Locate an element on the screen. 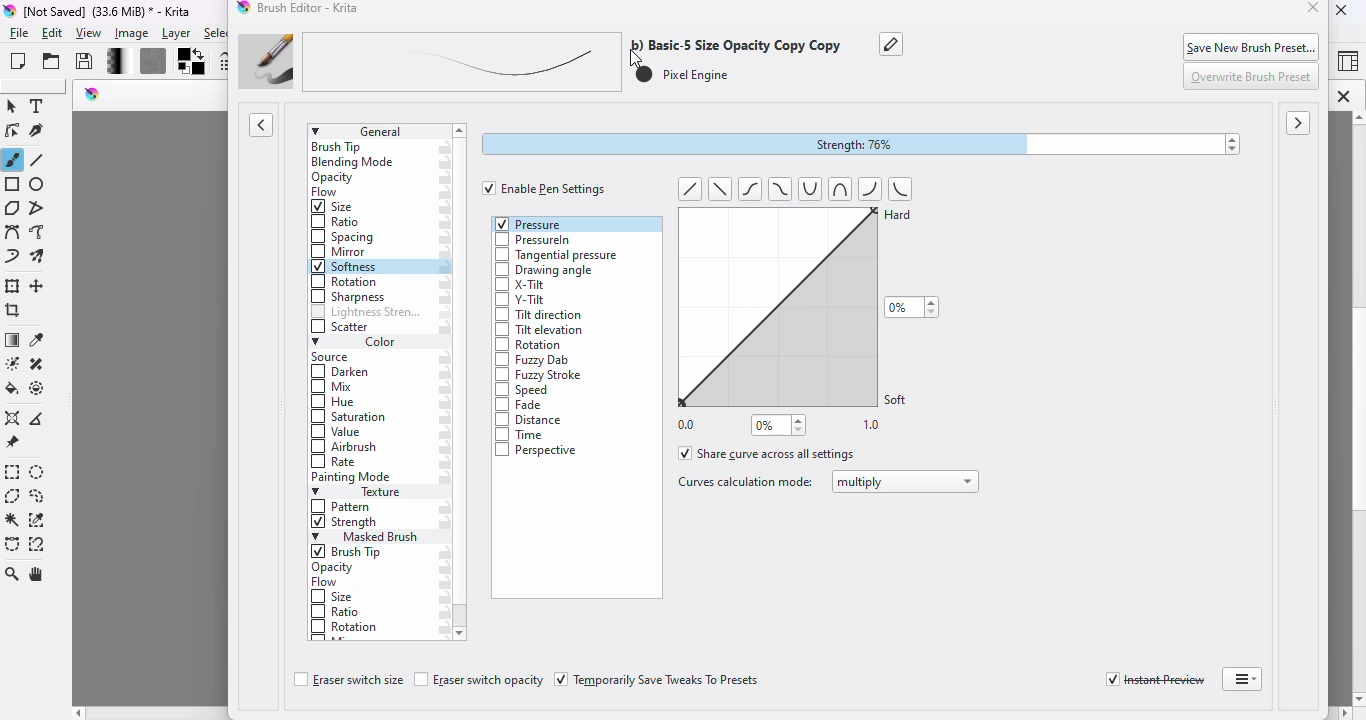 This screenshot has height=720, width=1366. drawing angle is located at coordinates (543, 271).